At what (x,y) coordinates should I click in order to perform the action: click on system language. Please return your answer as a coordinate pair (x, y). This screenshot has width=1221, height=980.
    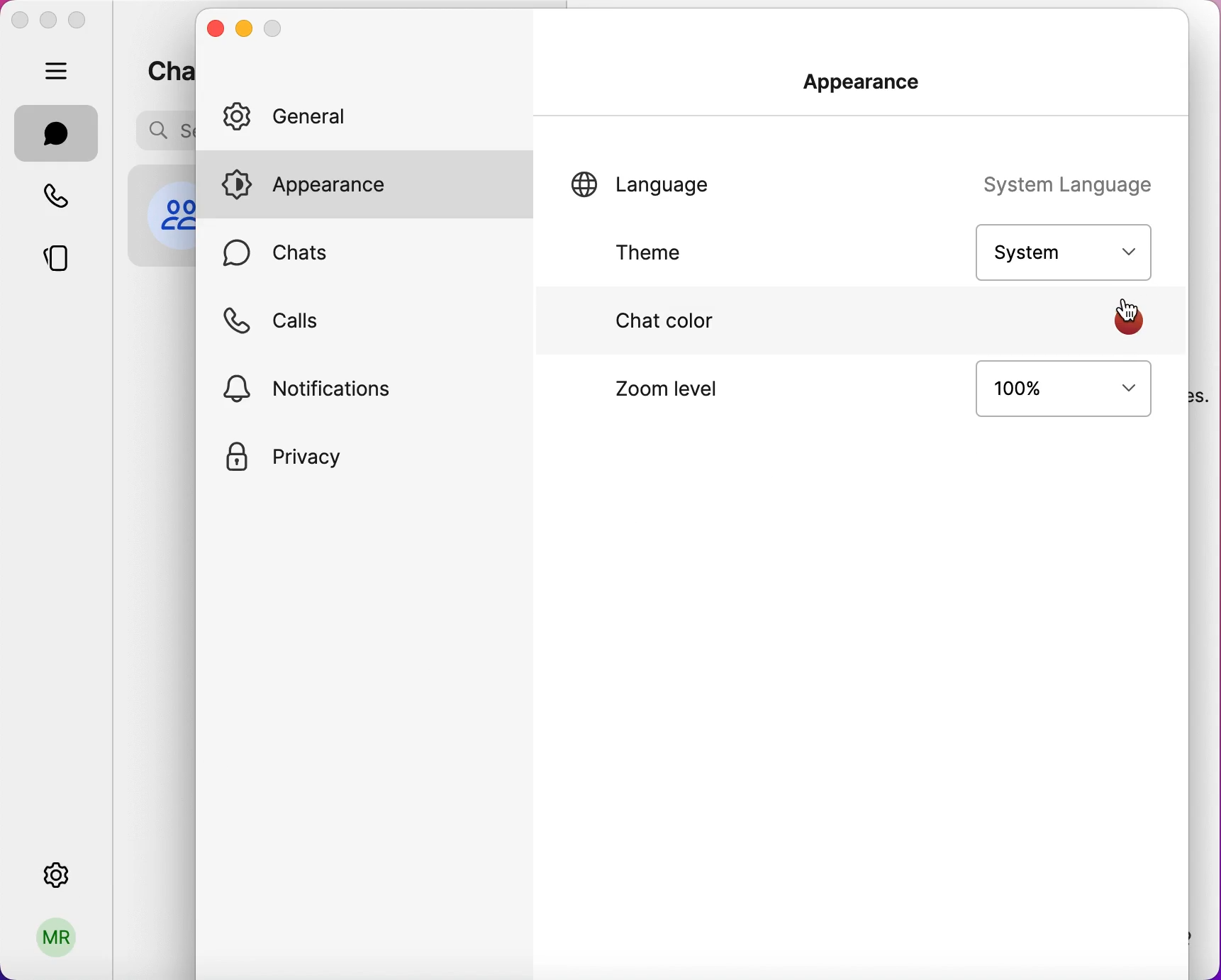
    Looking at the image, I should click on (1074, 186).